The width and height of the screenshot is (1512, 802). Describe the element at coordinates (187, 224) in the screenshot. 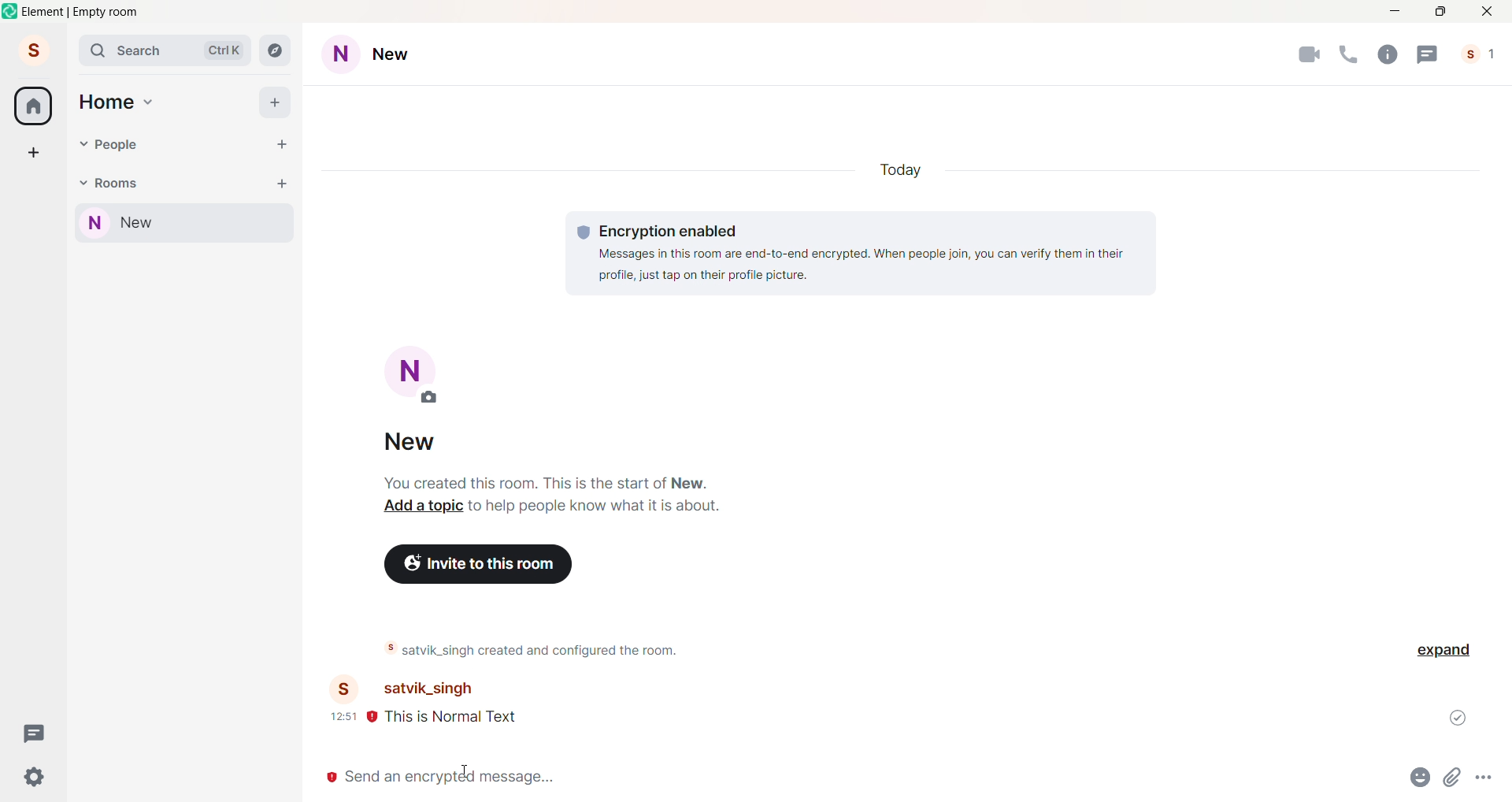

I see `Current Room` at that location.